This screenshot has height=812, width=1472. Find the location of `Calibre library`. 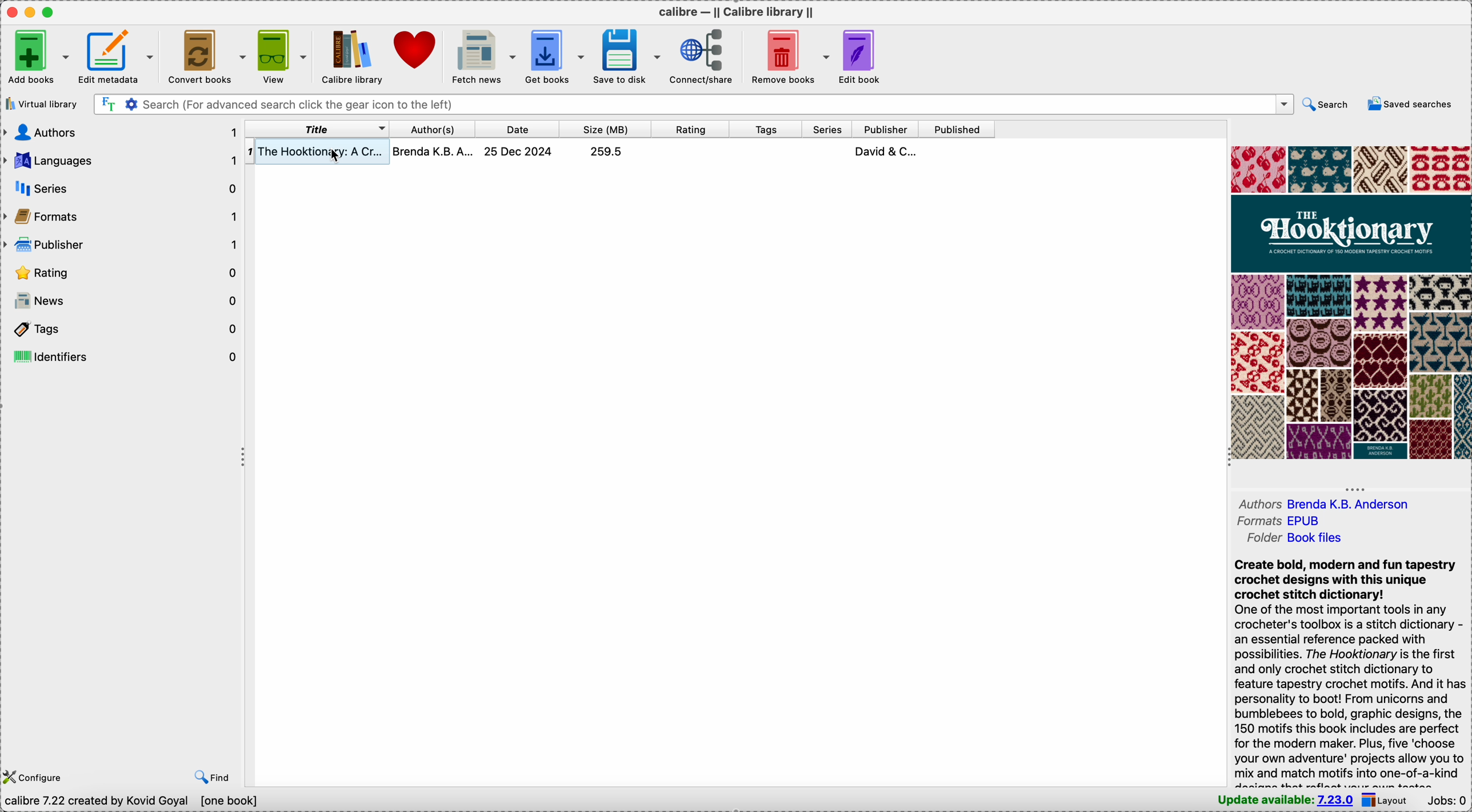

Calibre library is located at coordinates (348, 55).